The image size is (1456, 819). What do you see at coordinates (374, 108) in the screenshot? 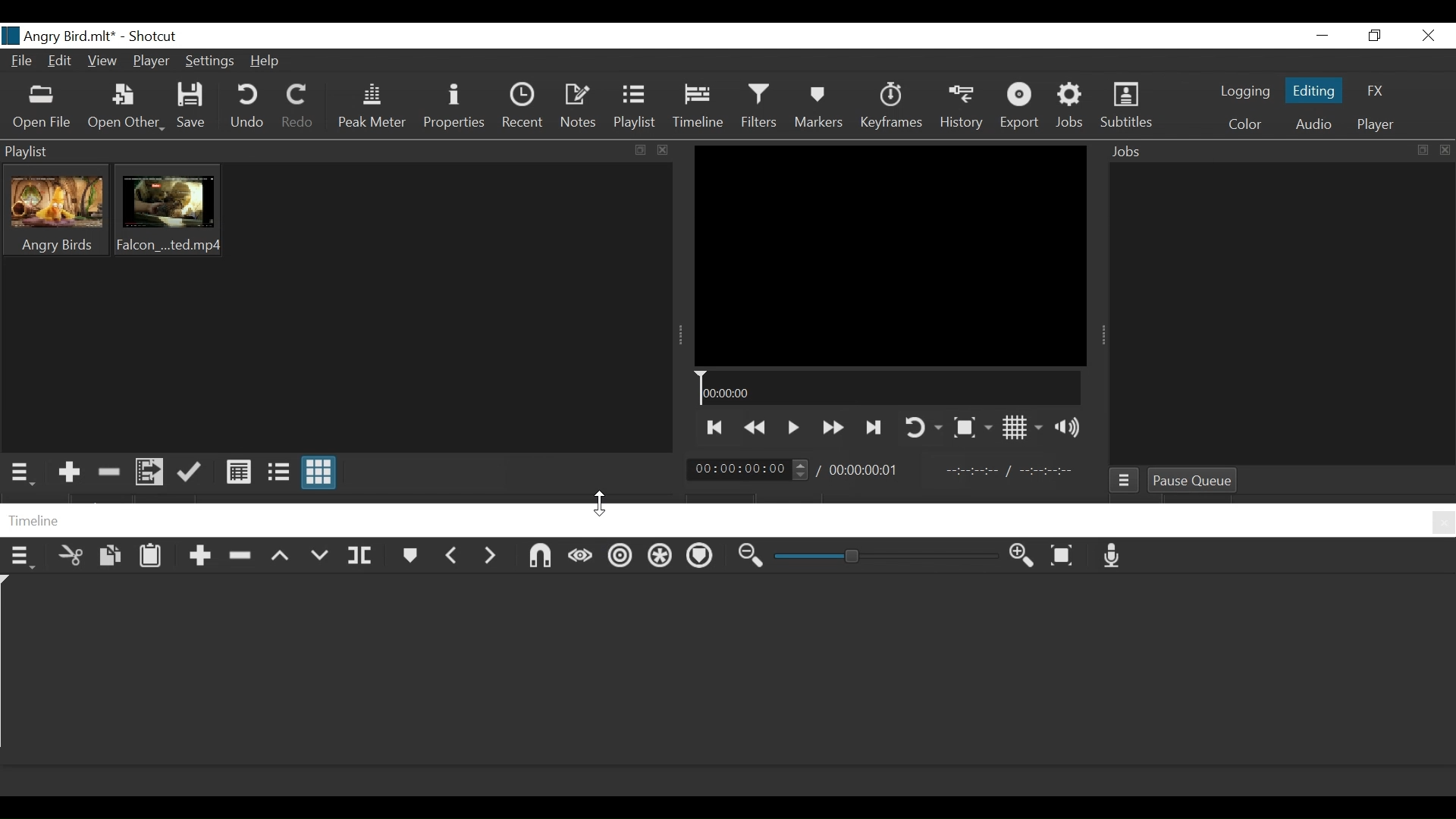
I see `Peak Meter` at bounding box center [374, 108].